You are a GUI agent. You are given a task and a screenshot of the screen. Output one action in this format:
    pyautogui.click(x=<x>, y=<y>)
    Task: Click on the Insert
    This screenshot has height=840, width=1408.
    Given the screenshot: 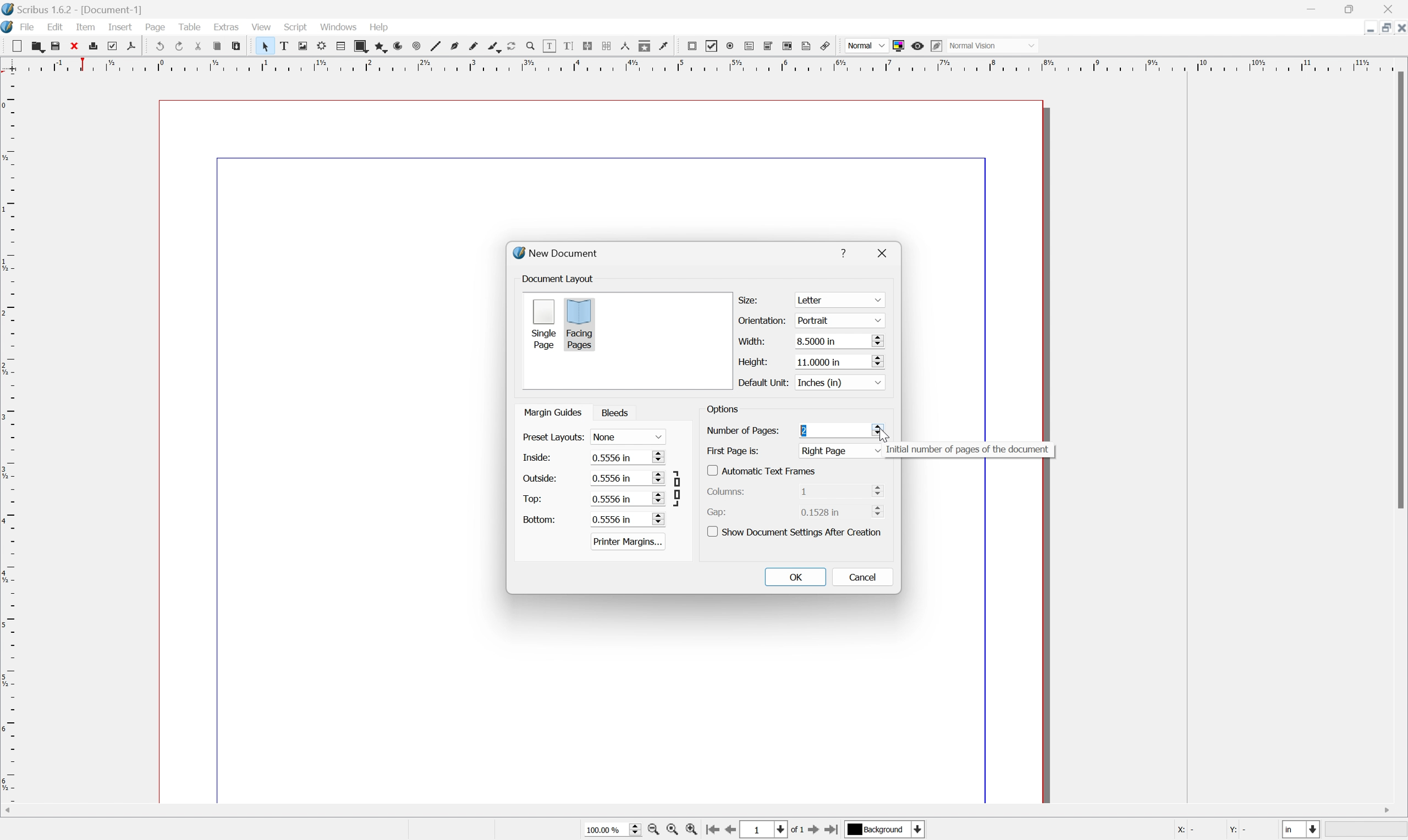 What is the action you would take?
    pyautogui.click(x=119, y=28)
    